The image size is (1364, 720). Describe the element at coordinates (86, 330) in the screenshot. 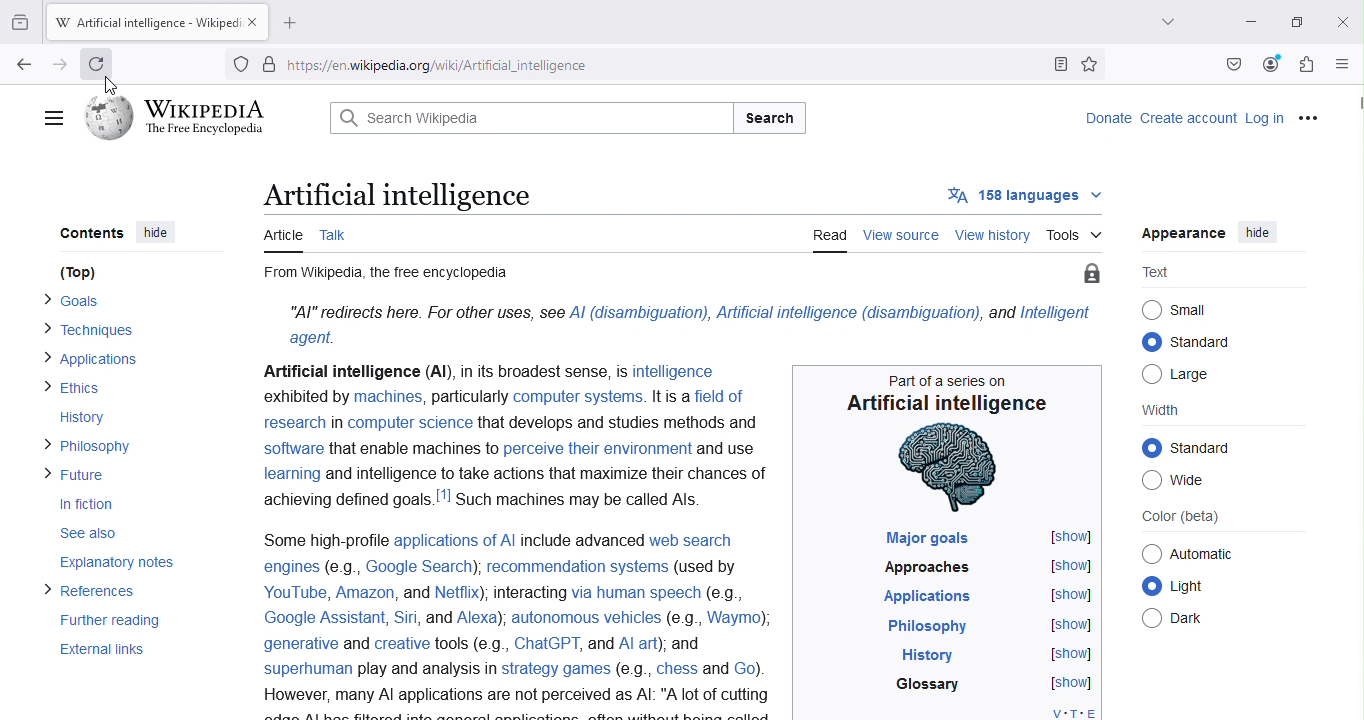

I see `> Techniques.` at that location.